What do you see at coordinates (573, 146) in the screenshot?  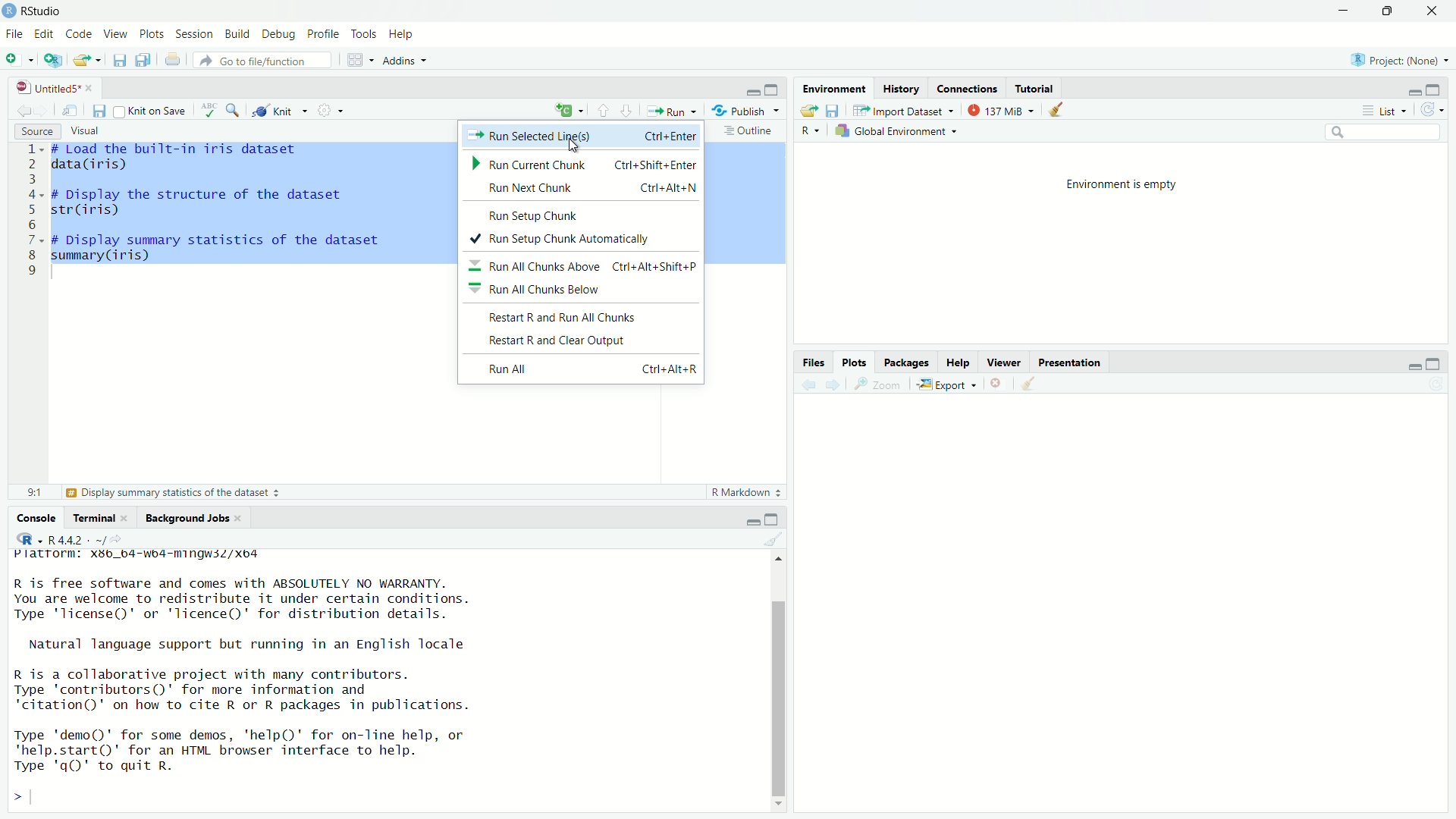 I see `Mouse Cursor` at bounding box center [573, 146].